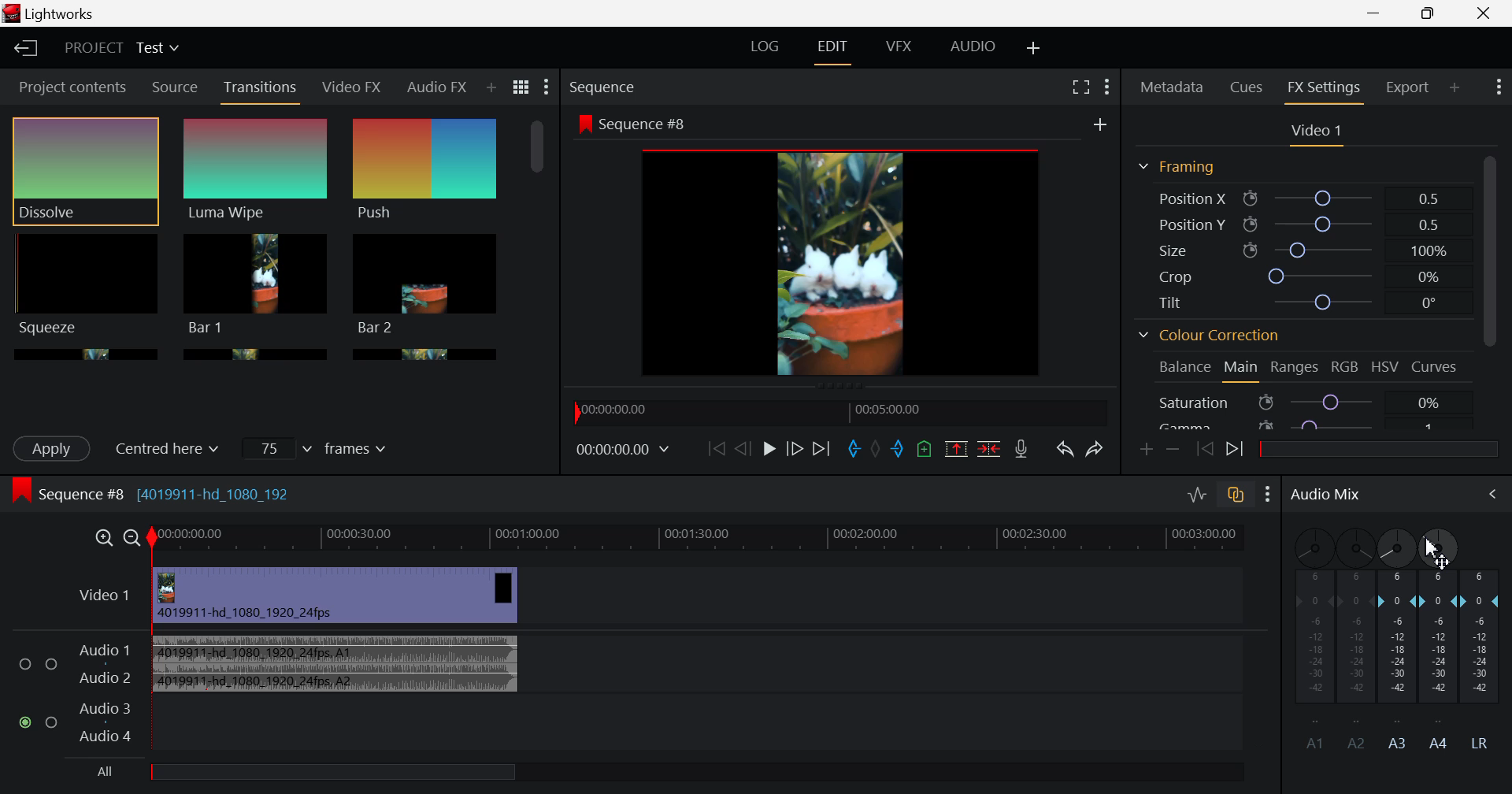  Describe the element at coordinates (1196, 497) in the screenshot. I see `Toggle audio levels editing` at that location.